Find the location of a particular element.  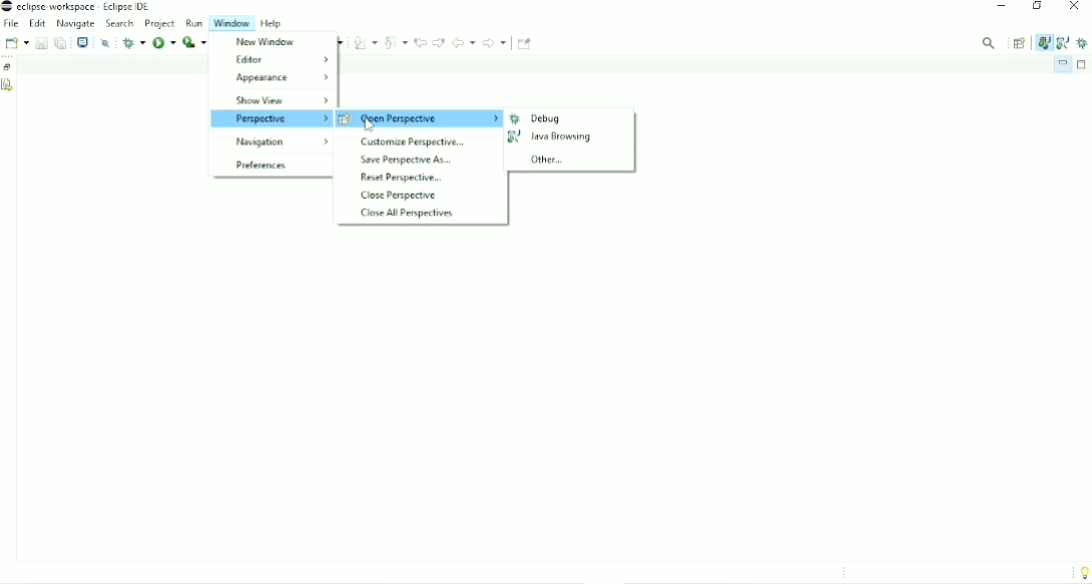

Navigate is located at coordinates (76, 23).